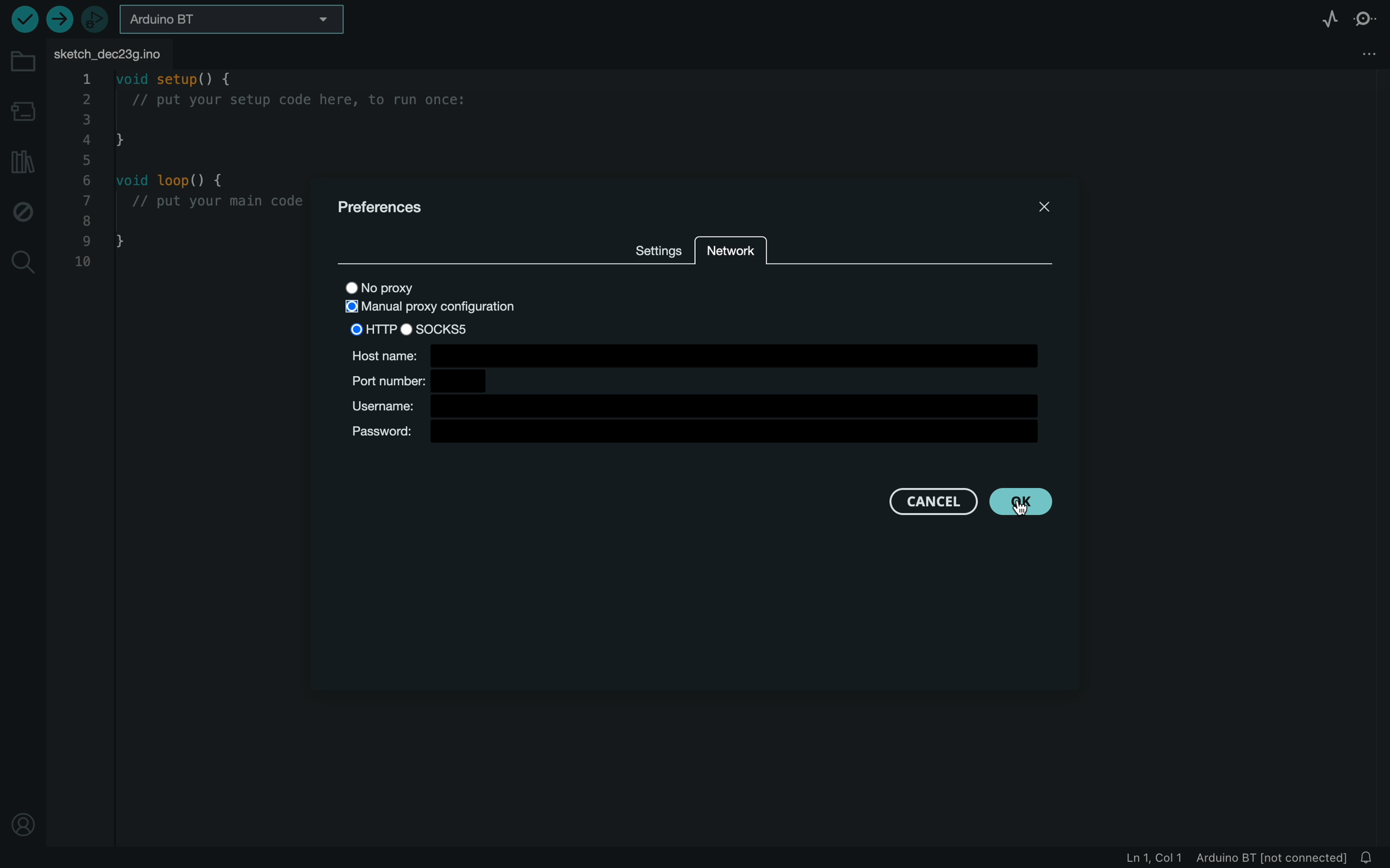  Describe the element at coordinates (691, 408) in the screenshot. I see `username` at that location.